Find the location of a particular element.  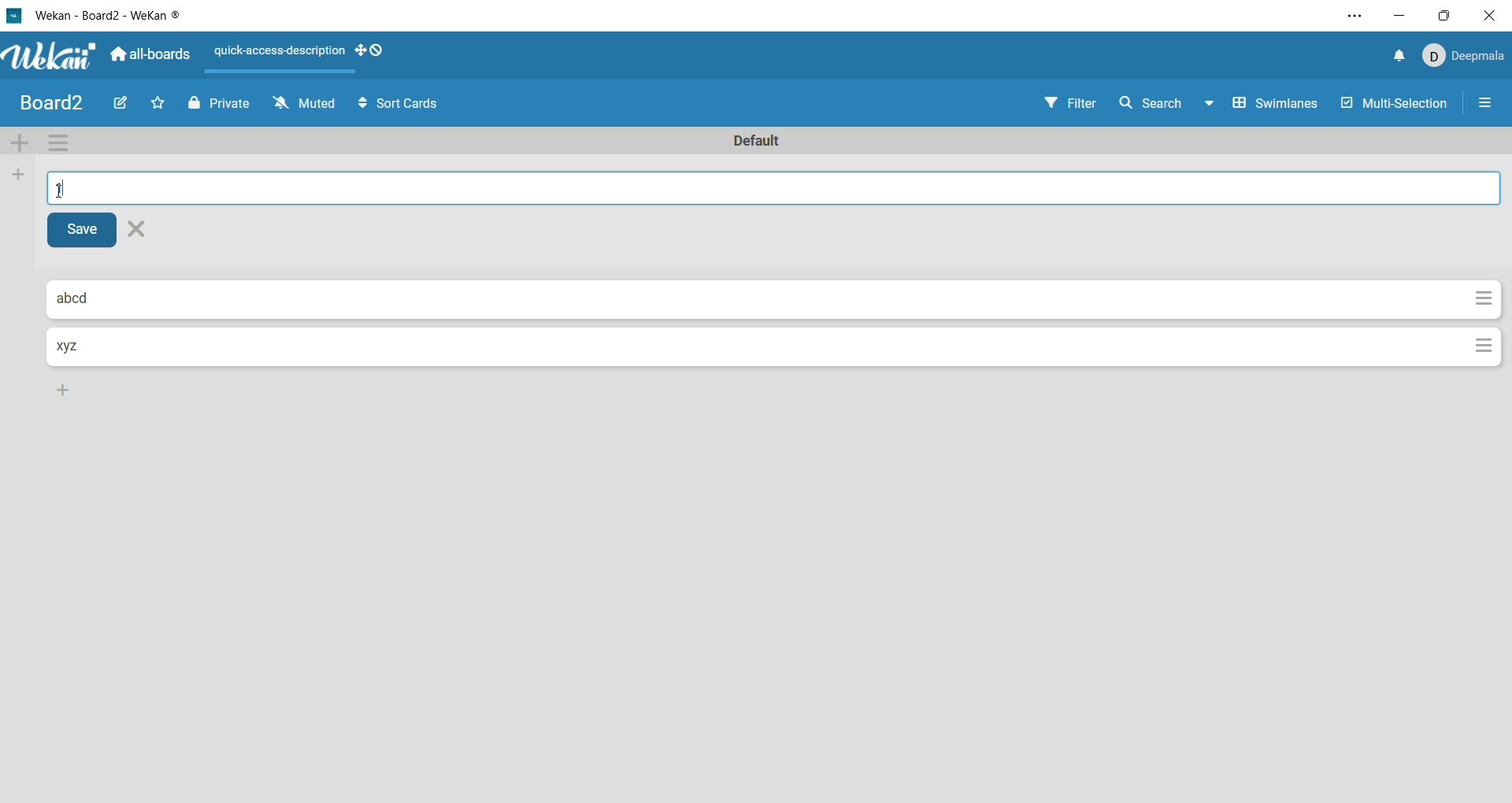

wekan-wekan is located at coordinates (116, 17).